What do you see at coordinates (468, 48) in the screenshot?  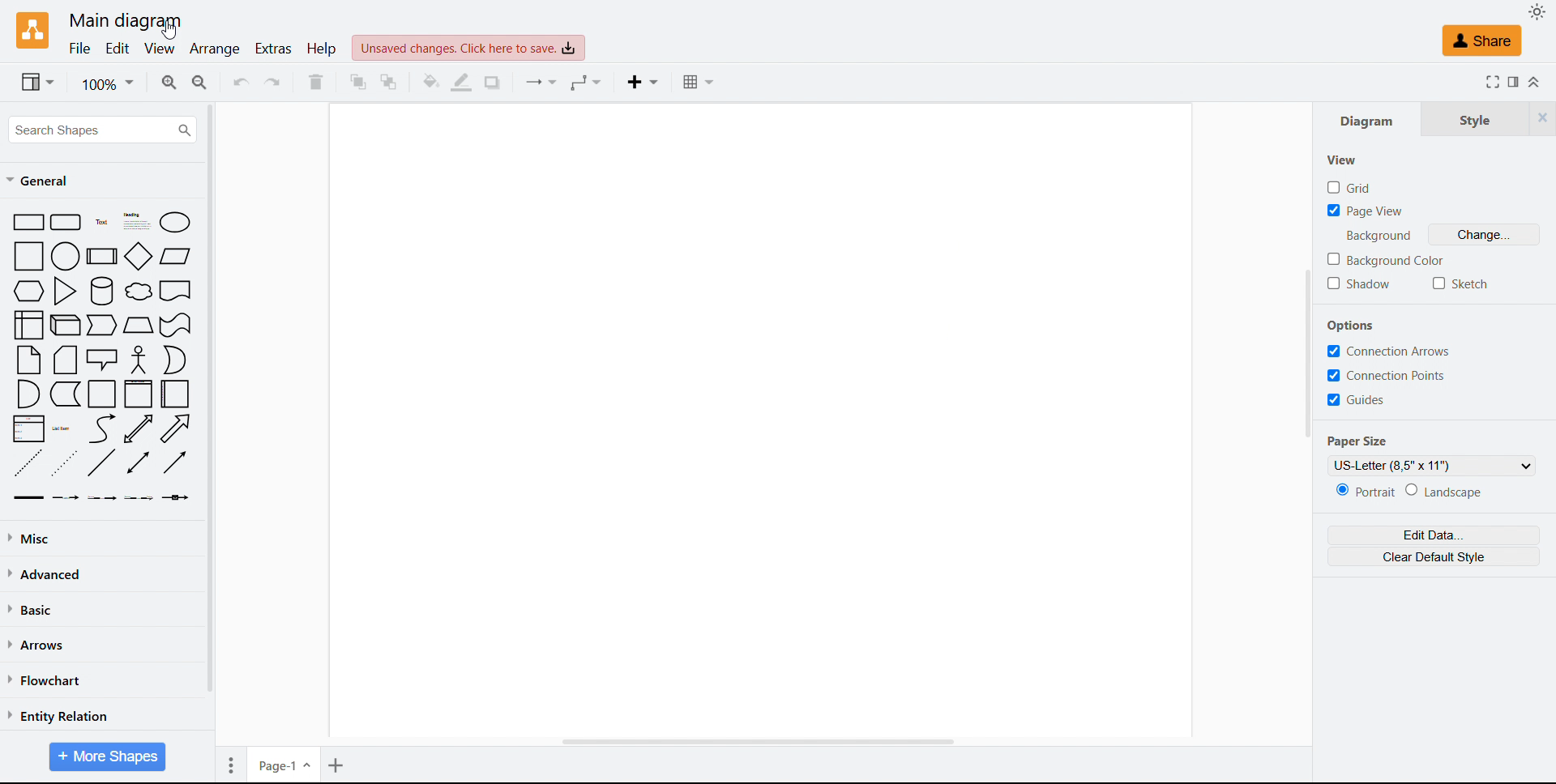 I see `Unsaved changes click here to save ` at bounding box center [468, 48].